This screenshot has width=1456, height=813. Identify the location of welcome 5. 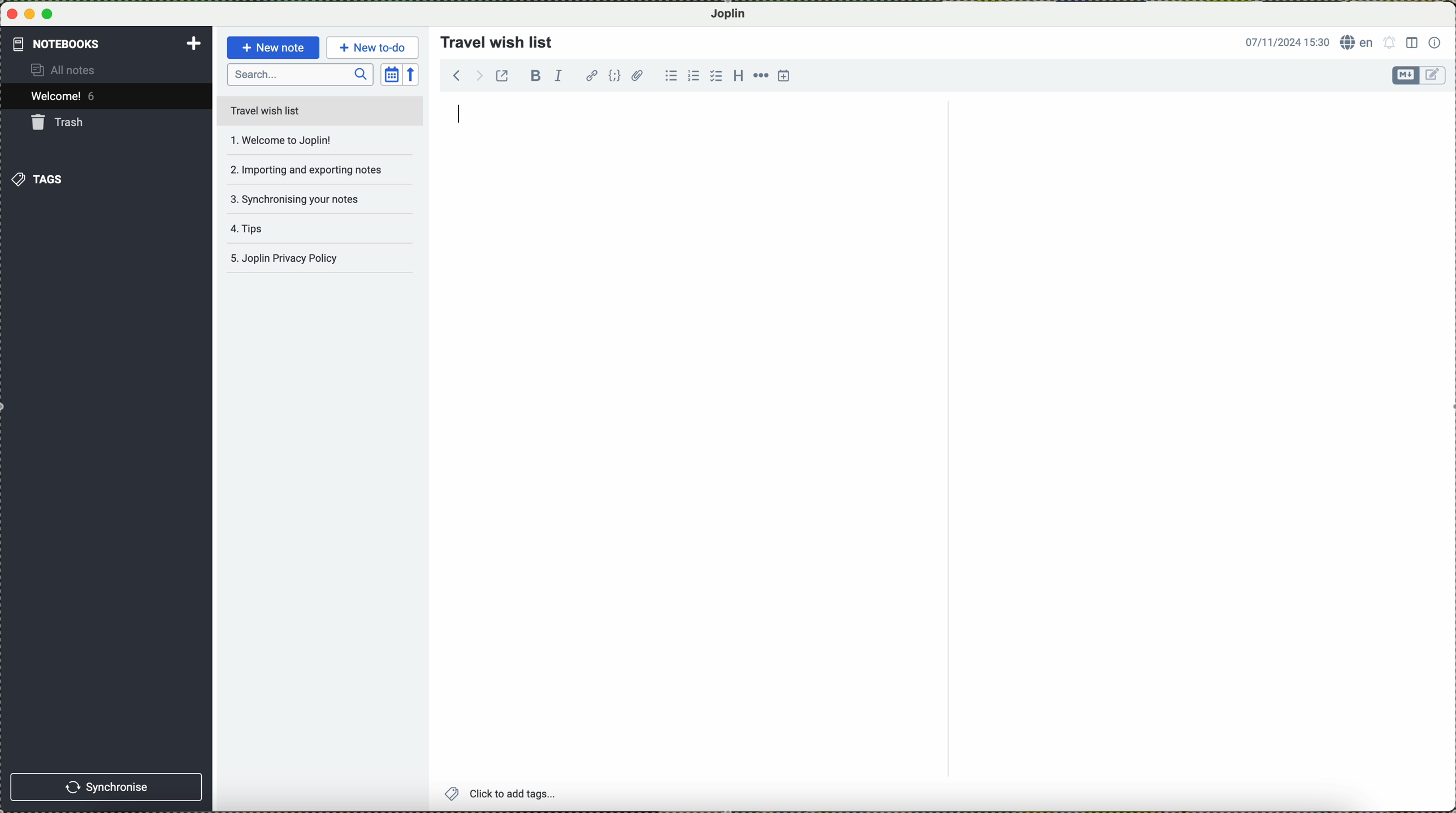
(66, 98).